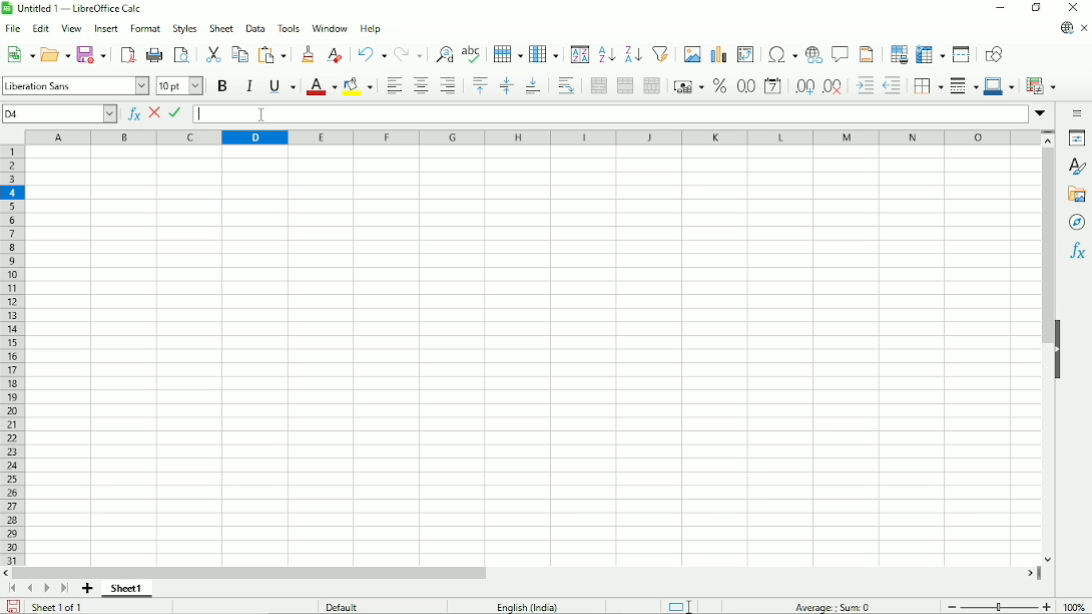 This screenshot has height=614, width=1092. Describe the element at coordinates (340, 606) in the screenshot. I see `Default` at that location.